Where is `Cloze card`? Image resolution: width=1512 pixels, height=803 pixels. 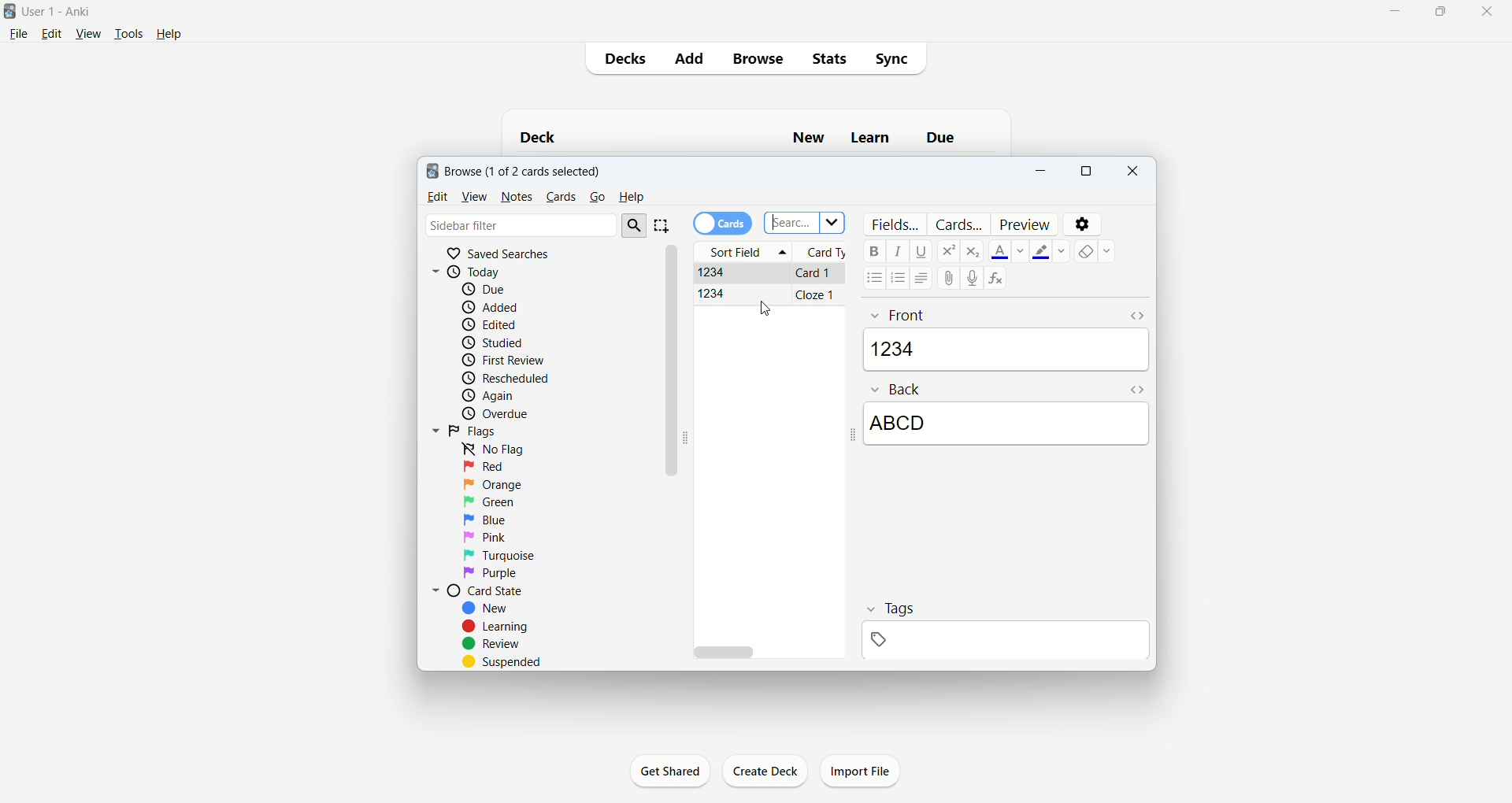 Cloze card is located at coordinates (771, 296).